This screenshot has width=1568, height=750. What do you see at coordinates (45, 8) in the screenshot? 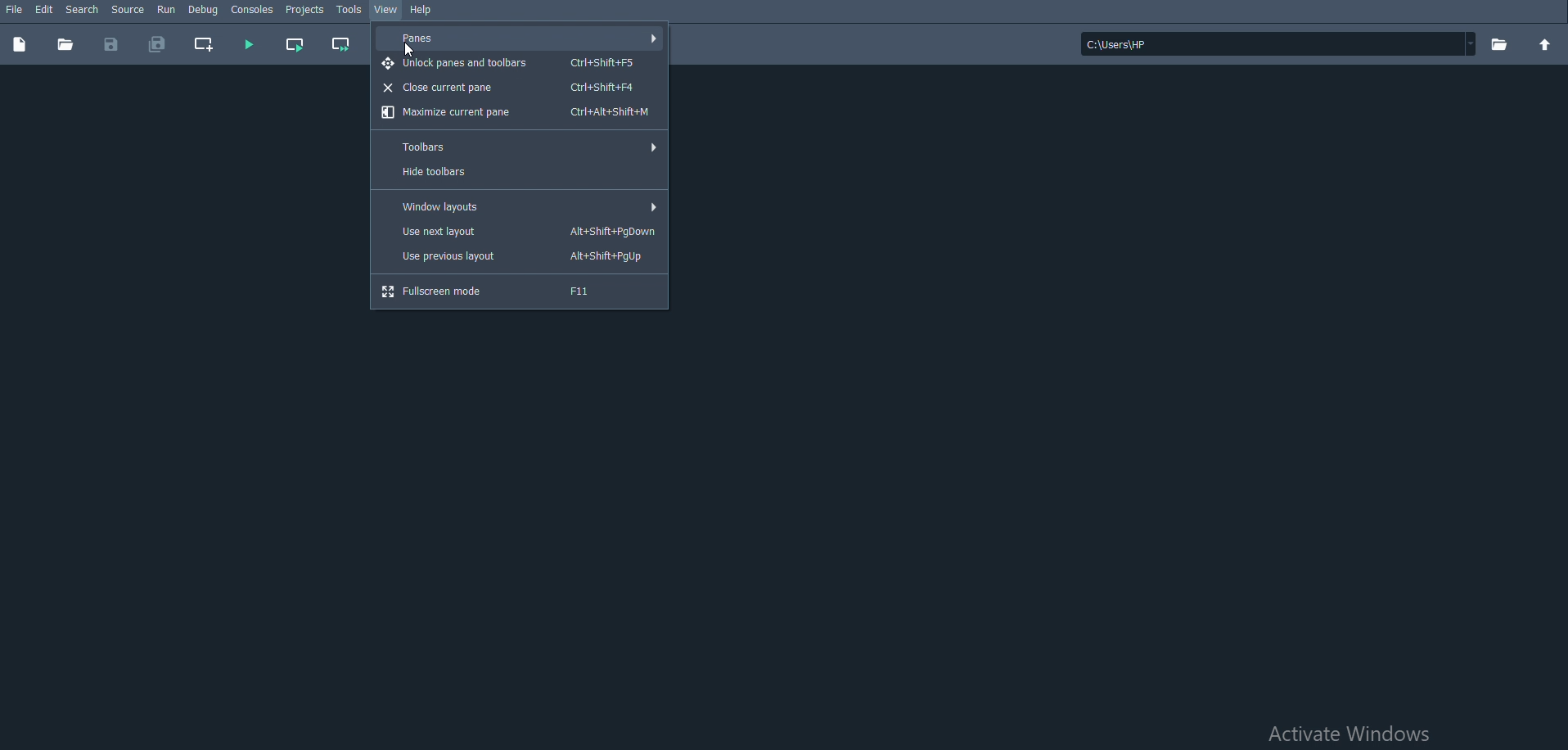
I see `Edit` at bounding box center [45, 8].